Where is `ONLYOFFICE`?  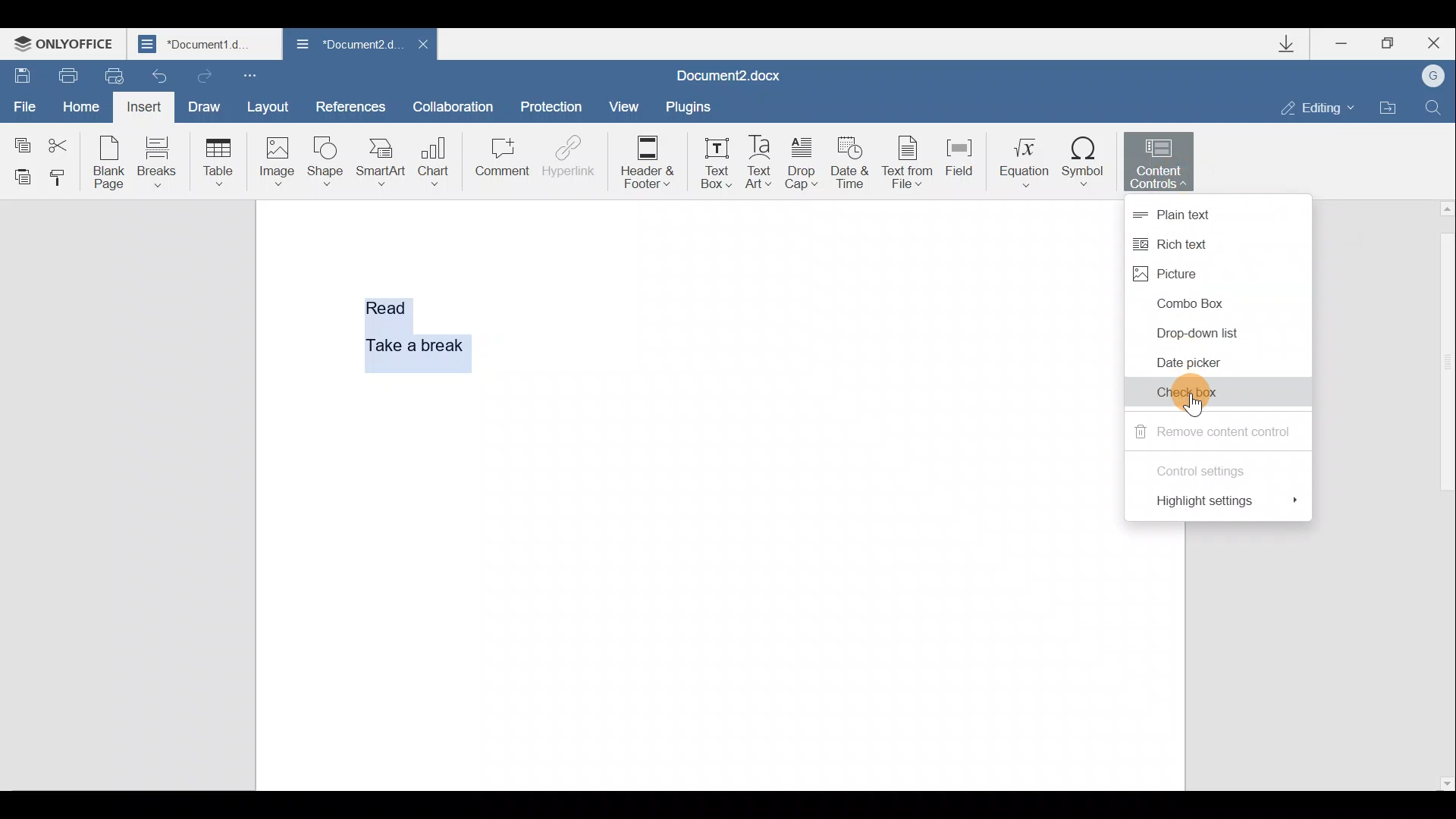
ONLYOFFICE is located at coordinates (67, 45).